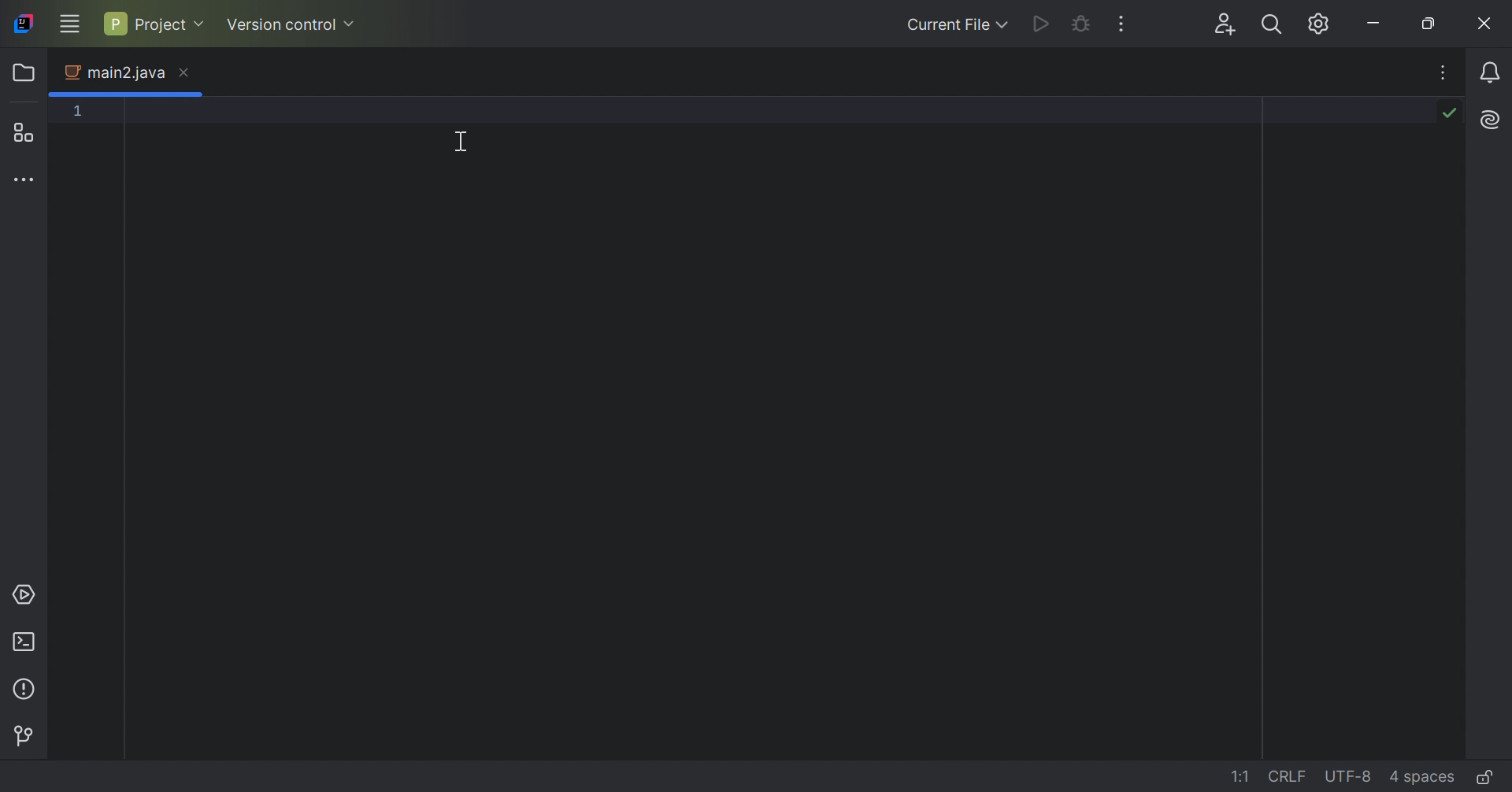 The height and width of the screenshot is (792, 1512). What do you see at coordinates (461, 142) in the screenshot?
I see `Cursor` at bounding box center [461, 142].